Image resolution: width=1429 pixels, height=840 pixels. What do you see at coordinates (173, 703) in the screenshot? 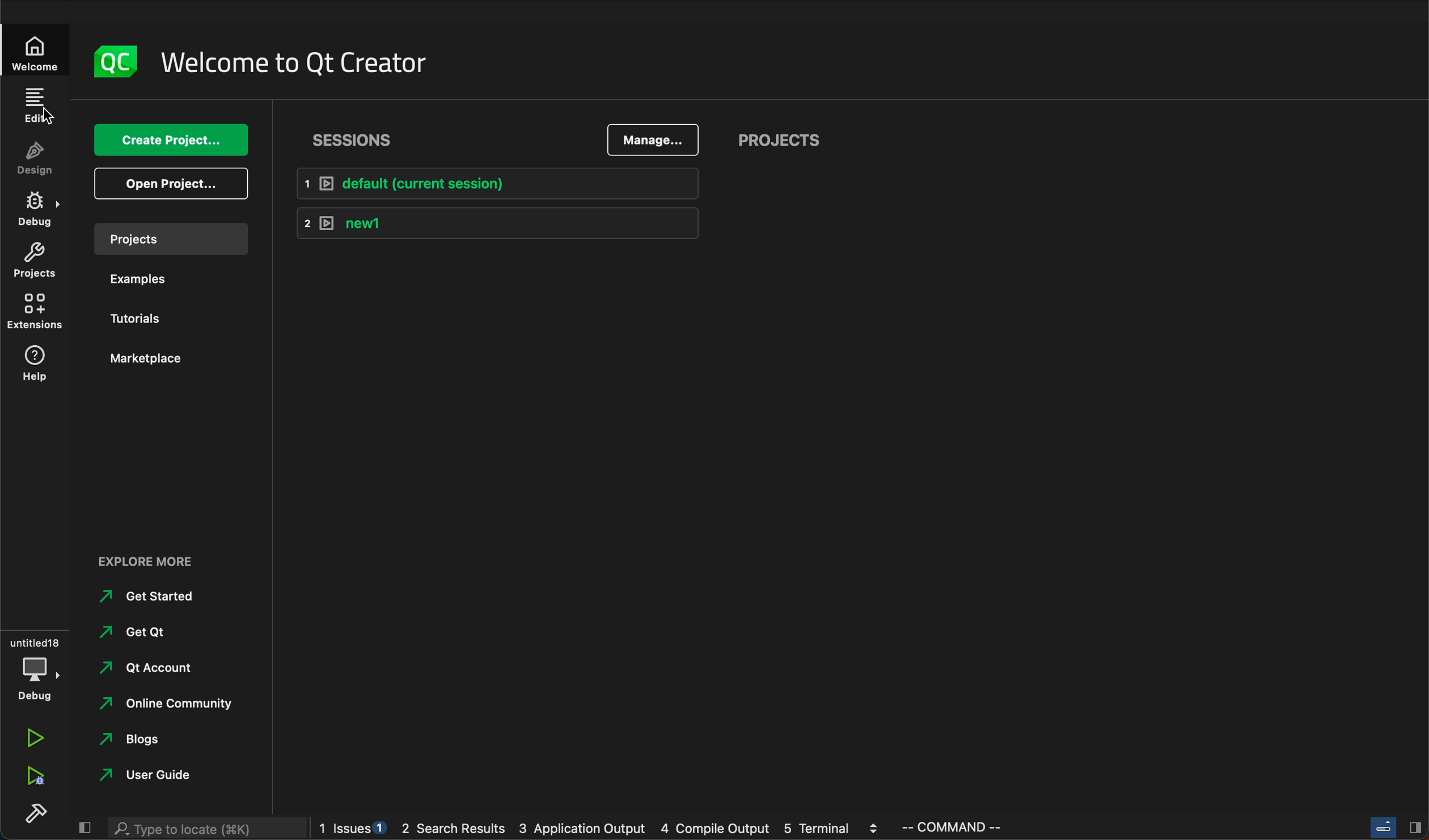
I see `community` at bounding box center [173, 703].